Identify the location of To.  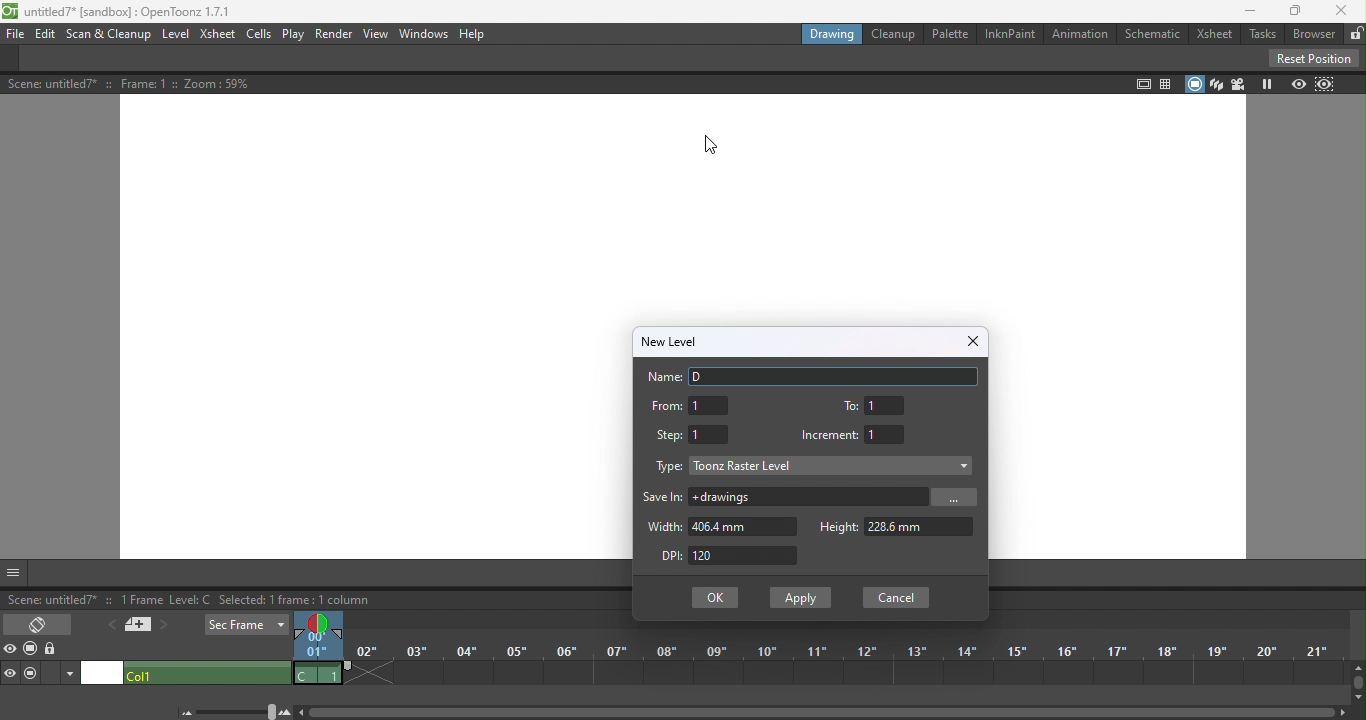
(876, 404).